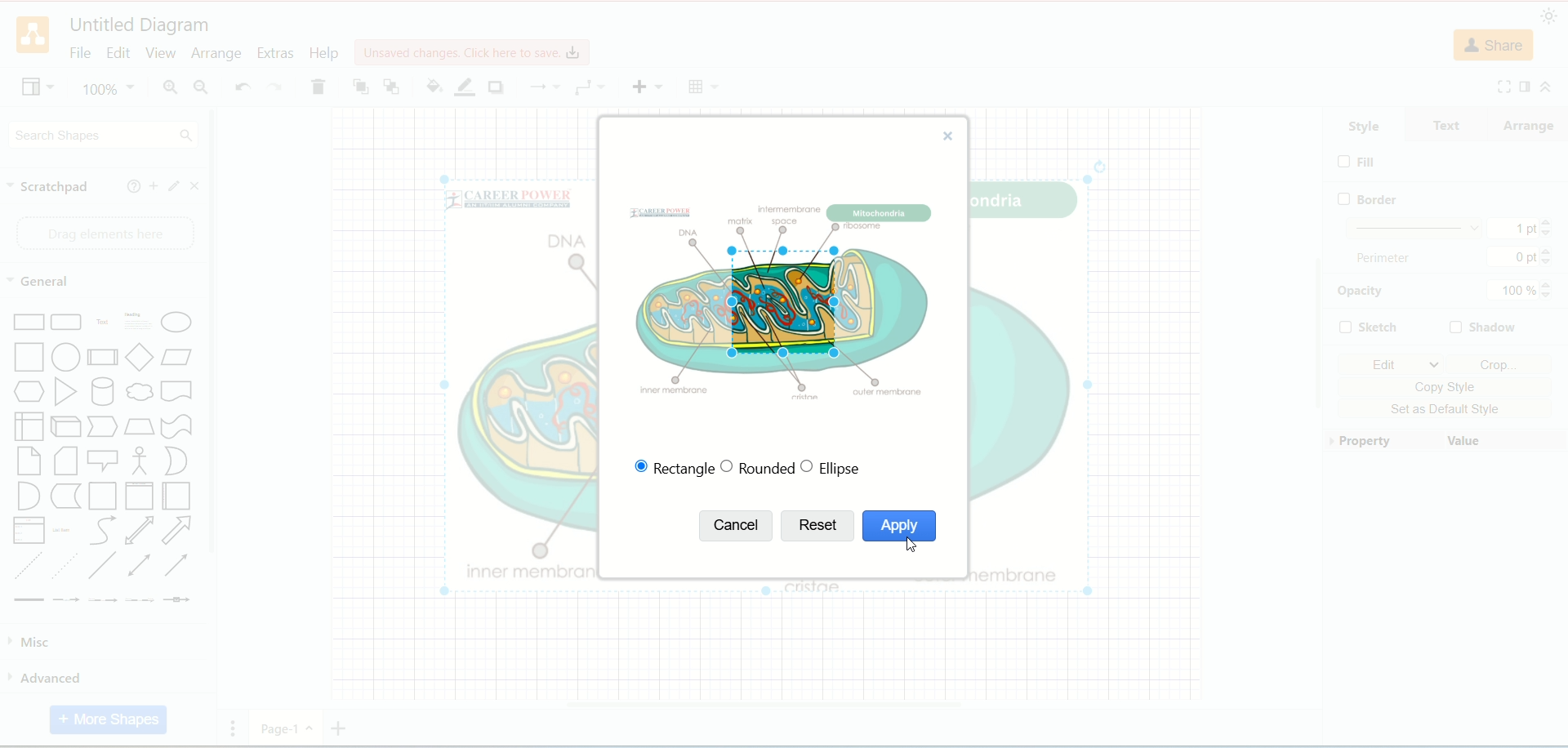 The image size is (1568, 748). Describe the element at coordinates (50, 189) in the screenshot. I see `scratchpad` at that location.